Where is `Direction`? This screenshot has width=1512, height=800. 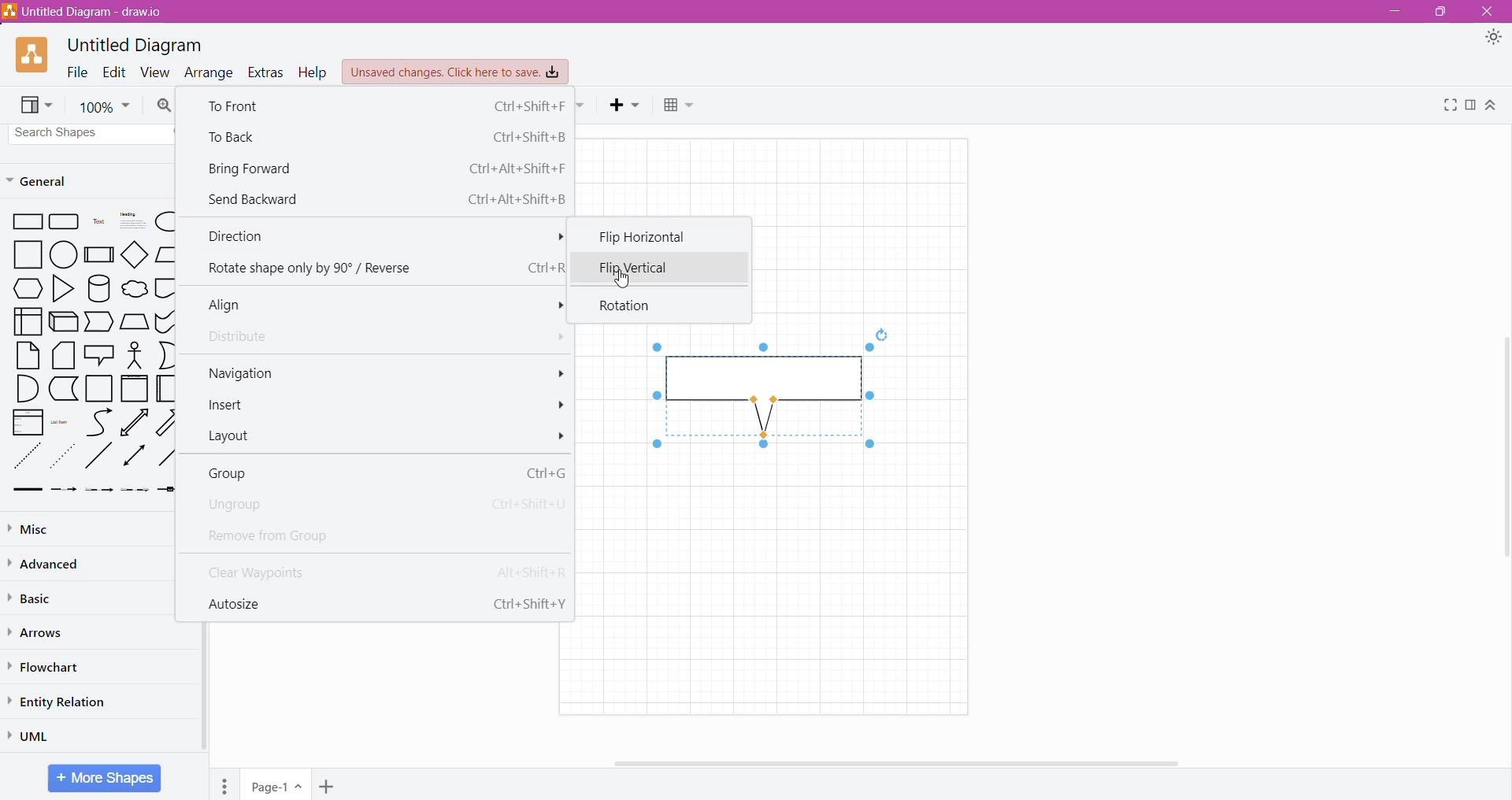 Direction is located at coordinates (380, 238).